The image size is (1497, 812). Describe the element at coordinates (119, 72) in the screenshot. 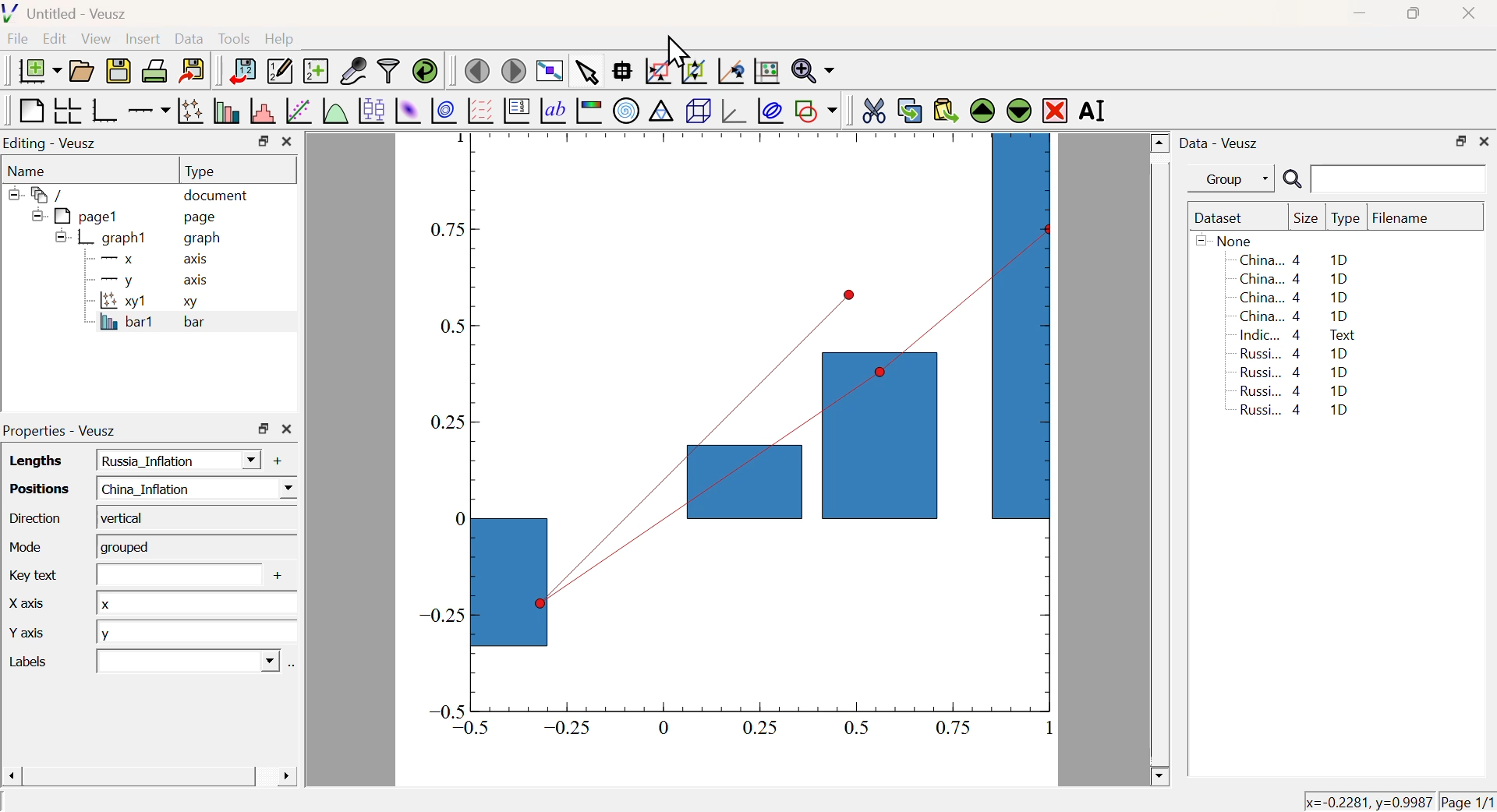

I see `Save` at that location.